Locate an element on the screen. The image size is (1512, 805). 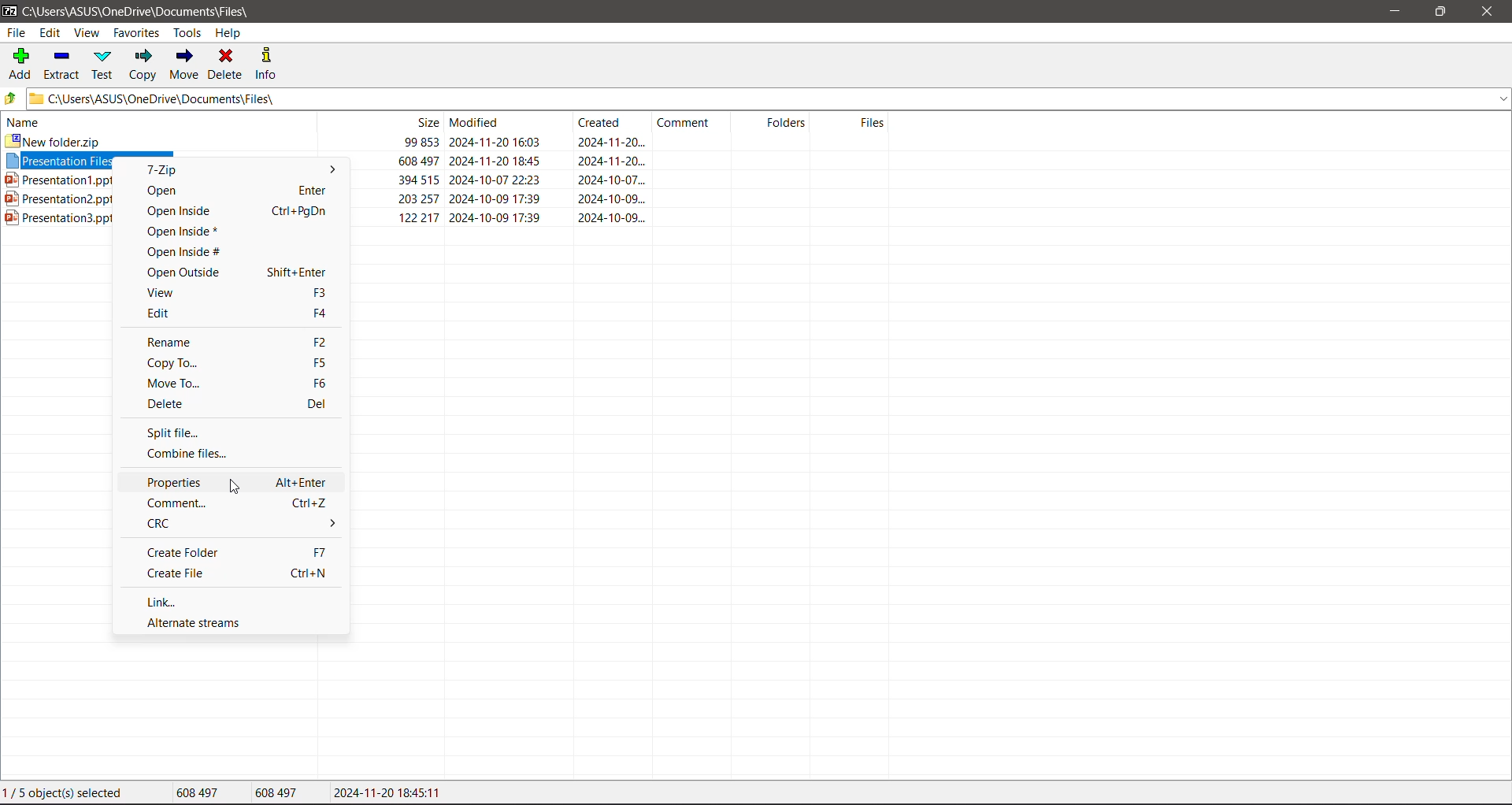
Current Folder Path is located at coordinates (769, 100).